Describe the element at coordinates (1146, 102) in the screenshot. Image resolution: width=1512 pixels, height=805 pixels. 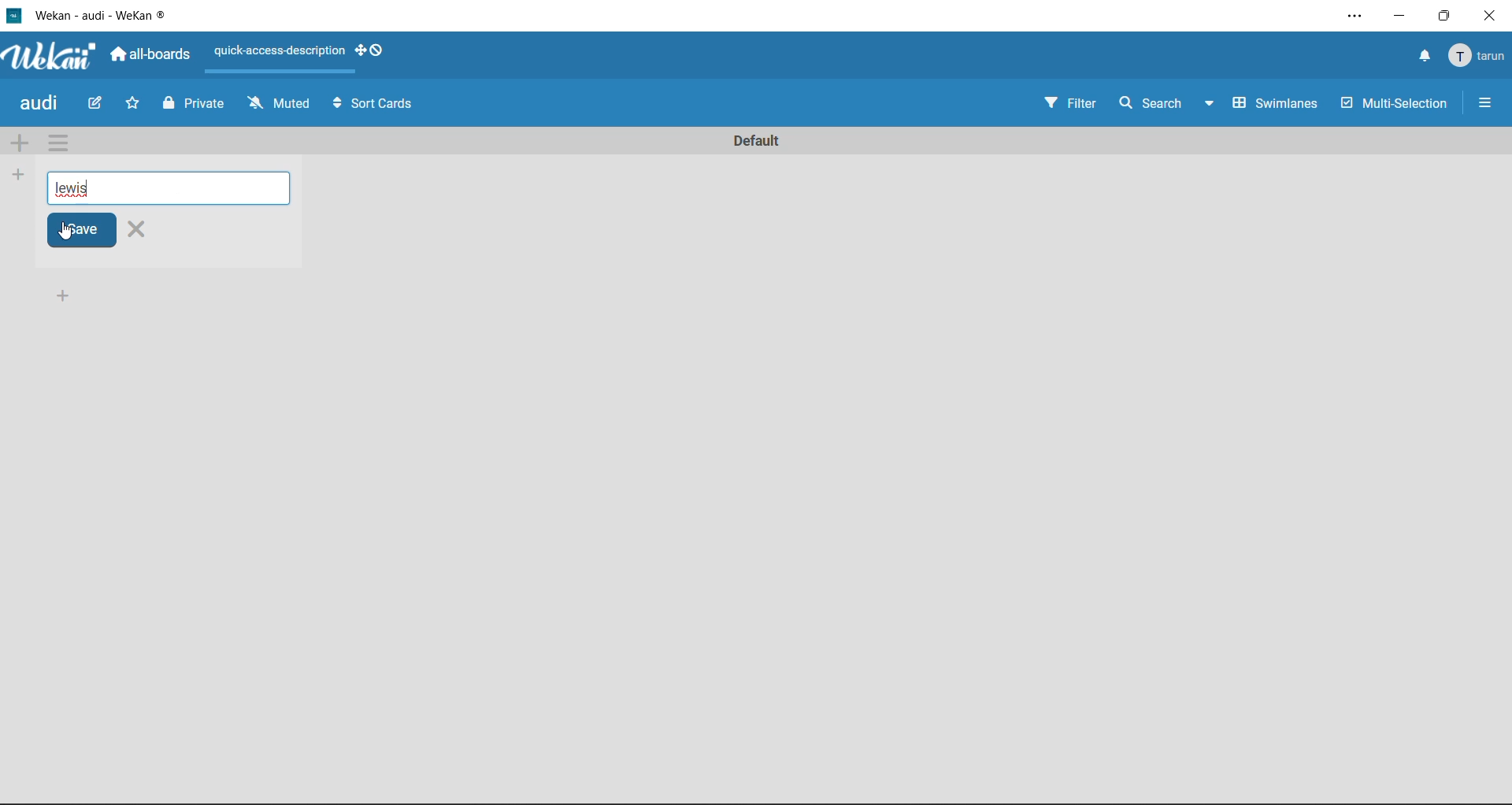
I see `search` at that location.